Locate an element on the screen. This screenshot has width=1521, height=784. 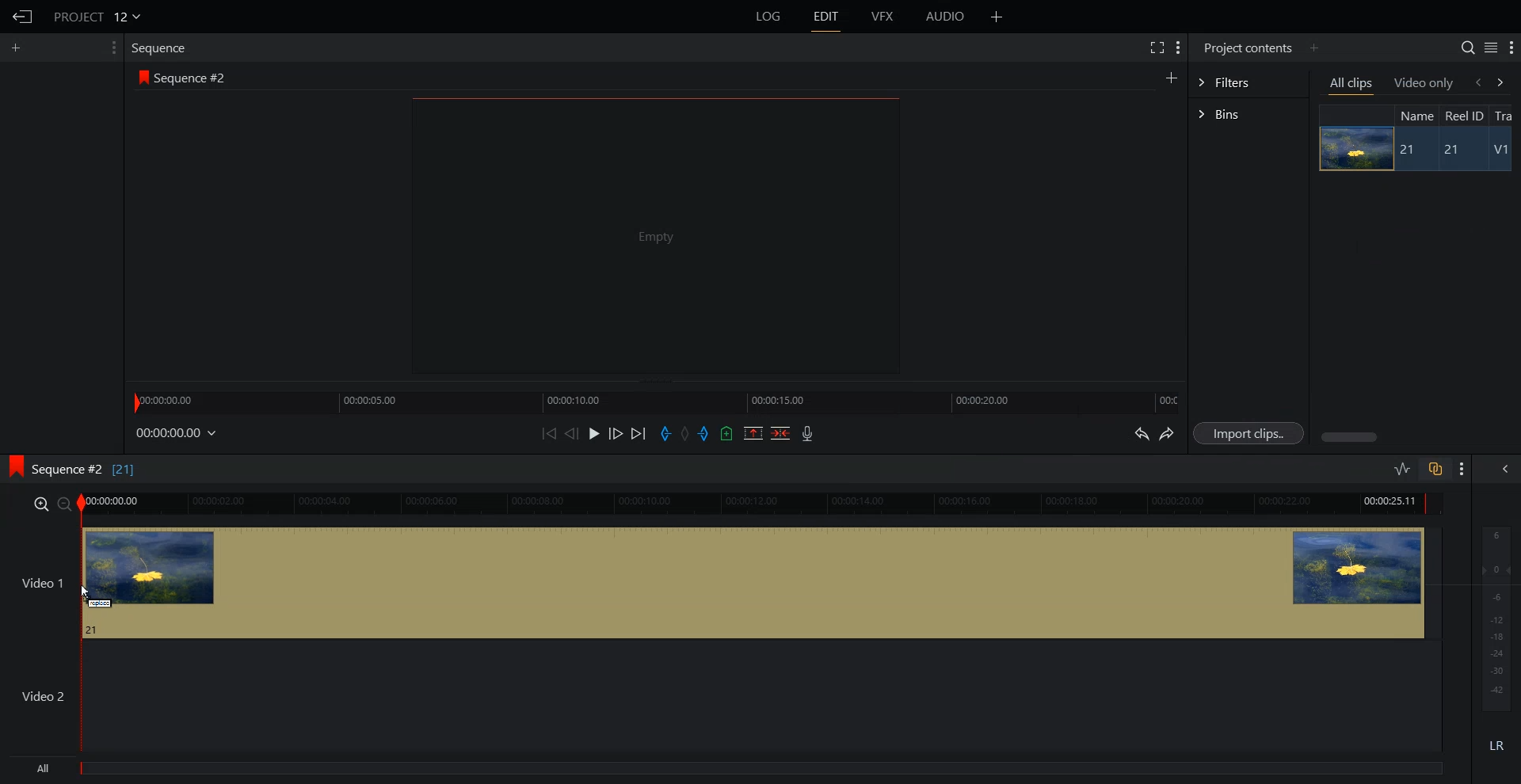
Clear all Marks is located at coordinates (685, 432).